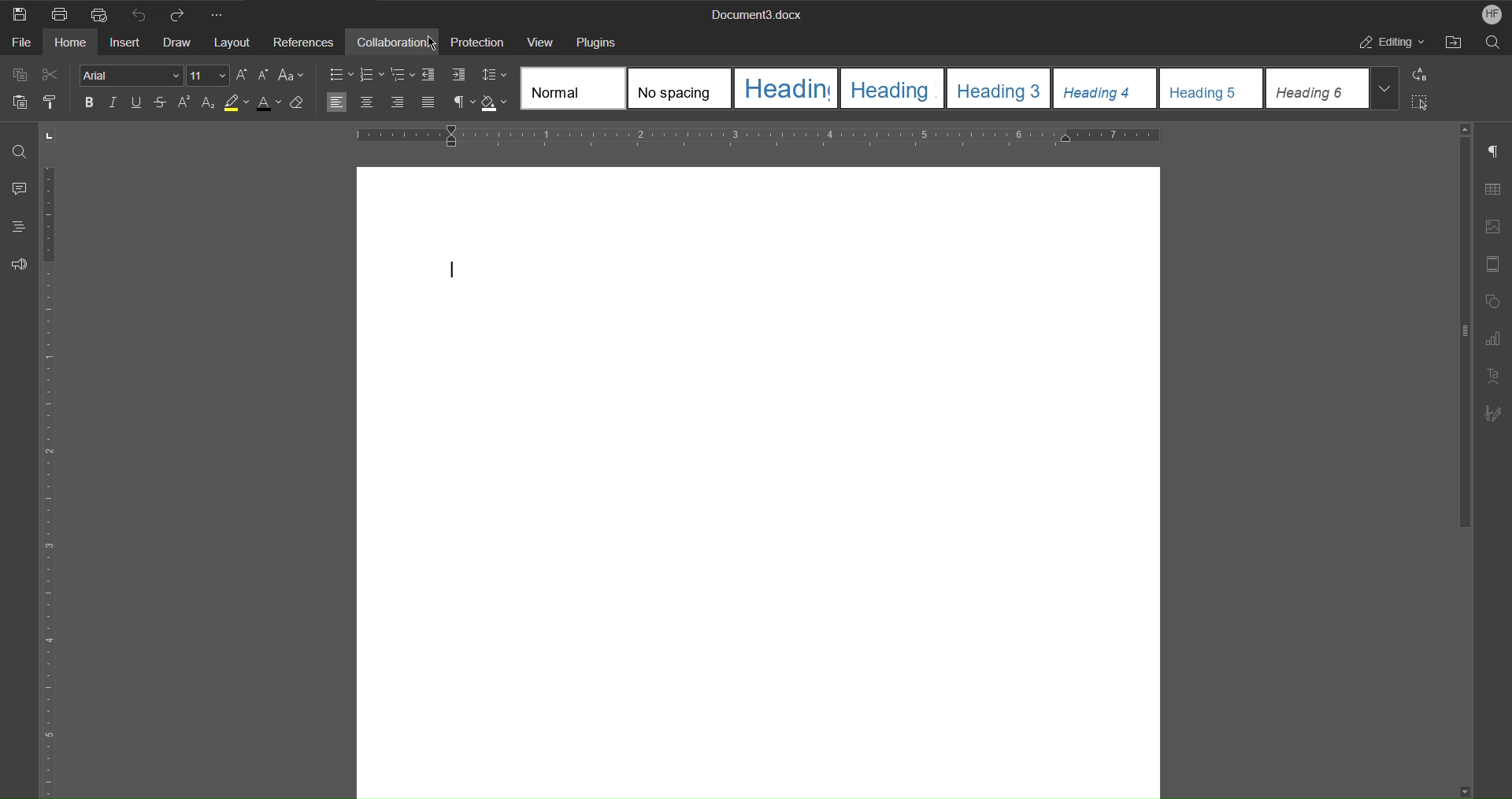  Describe the element at coordinates (402, 72) in the screenshot. I see `Multilevel list` at that location.